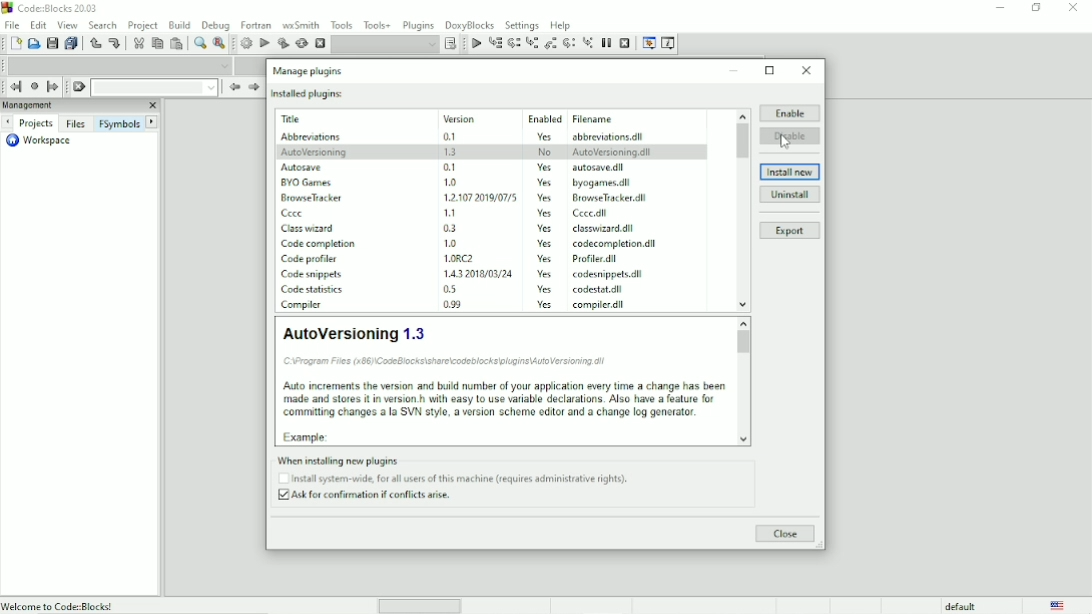 The width and height of the screenshot is (1092, 614). What do you see at coordinates (418, 23) in the screenshot?
I see `Plugins` at bounding box center [418, 23].